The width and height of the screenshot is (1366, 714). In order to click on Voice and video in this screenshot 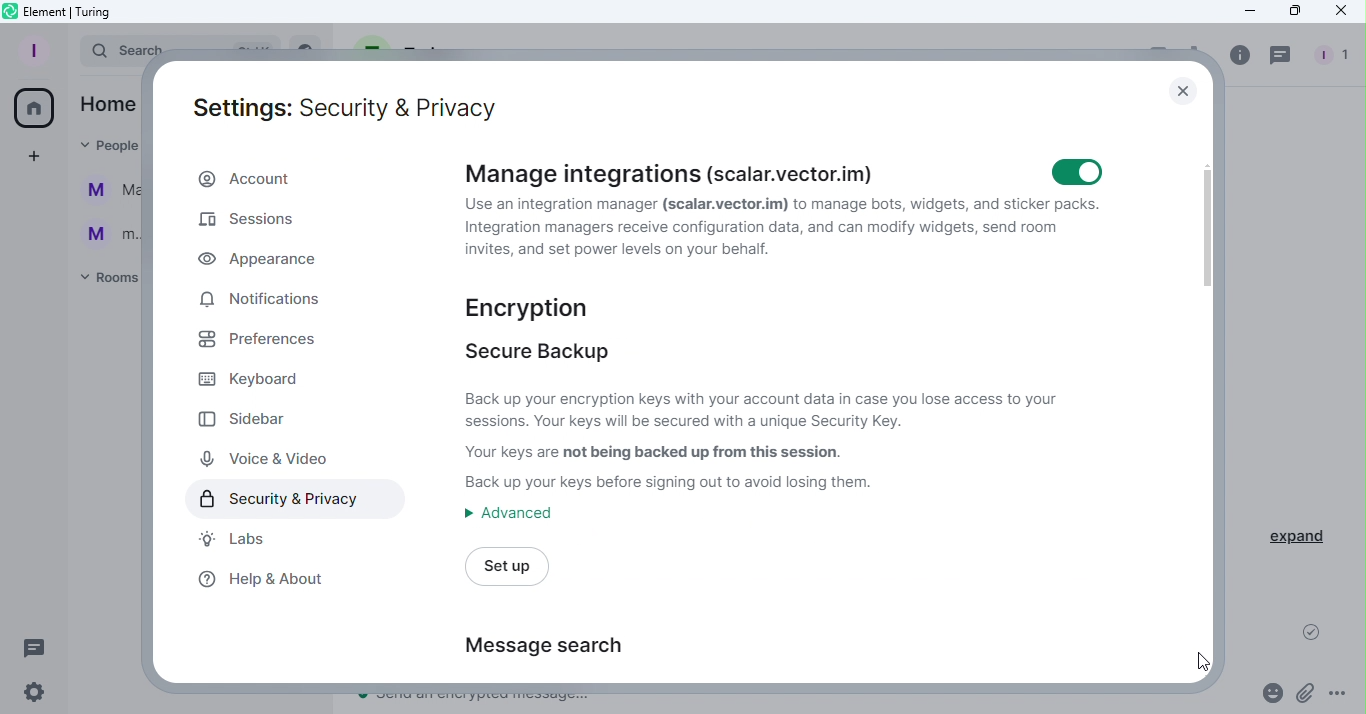, I will do `click(264, 457)`.